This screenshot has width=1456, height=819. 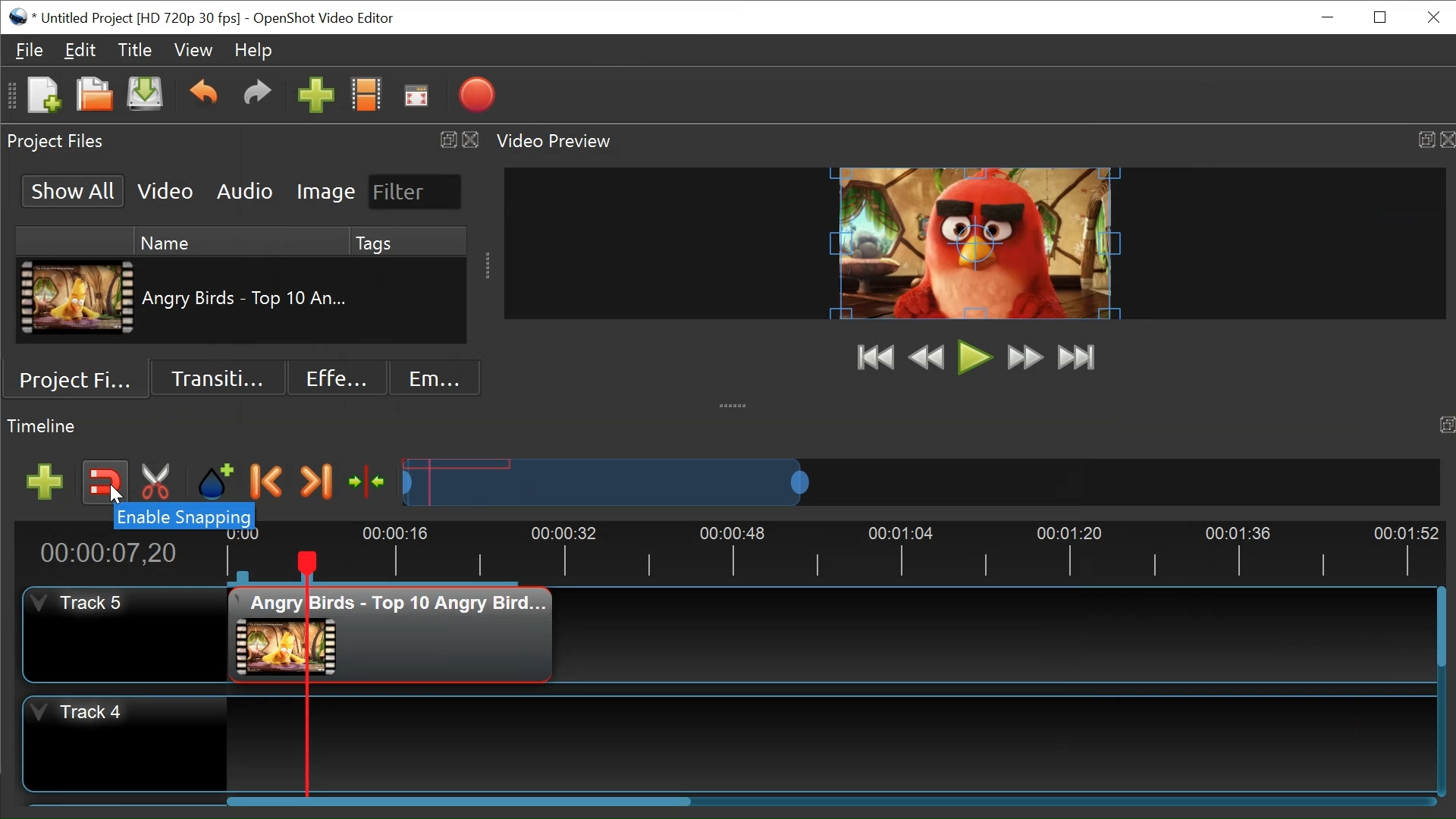 What do you see at coordinates (324, 192) in the screenshot?
I see `Image` at bounding box center [324, 192].